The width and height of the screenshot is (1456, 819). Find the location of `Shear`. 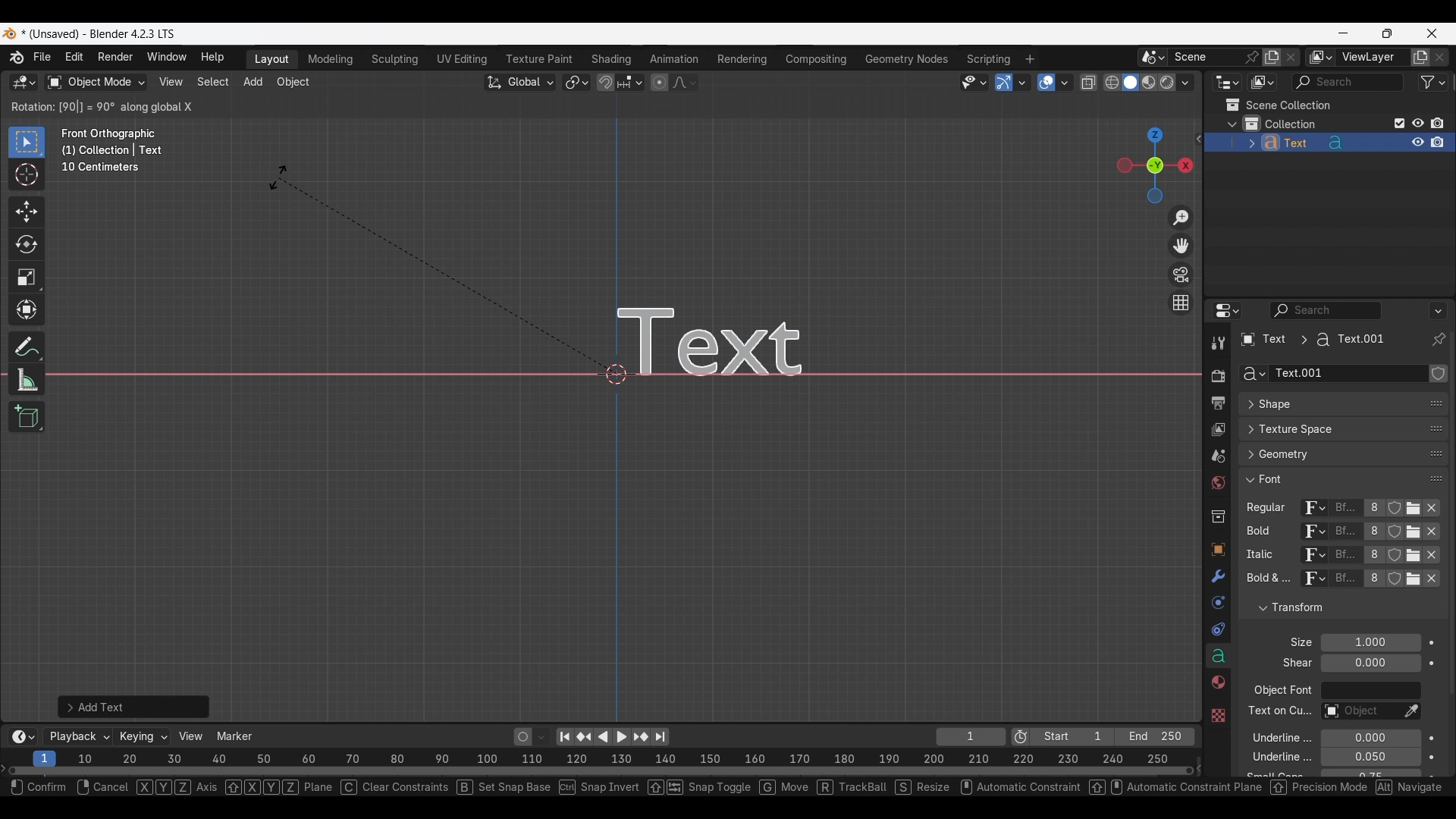

Shear is located at coordinates (1370, 663).